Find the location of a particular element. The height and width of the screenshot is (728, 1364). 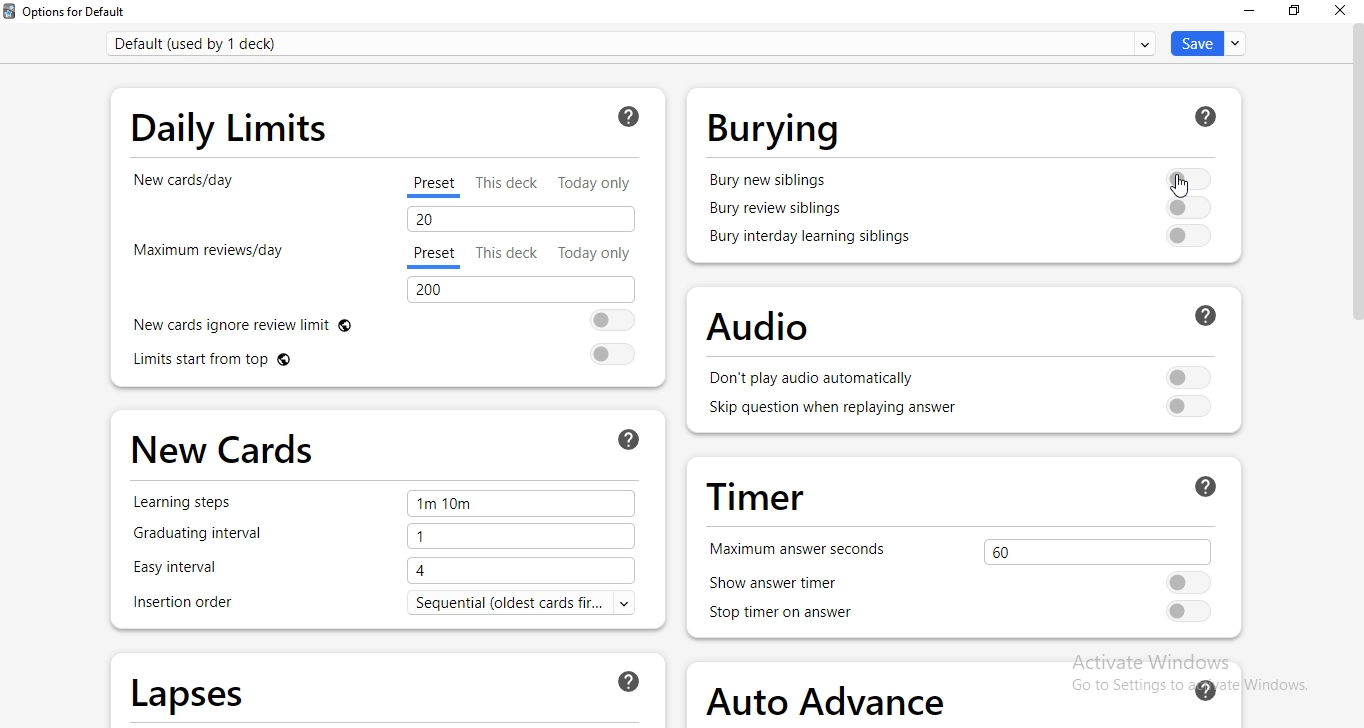

60 is located at coordinates (1094, 549).